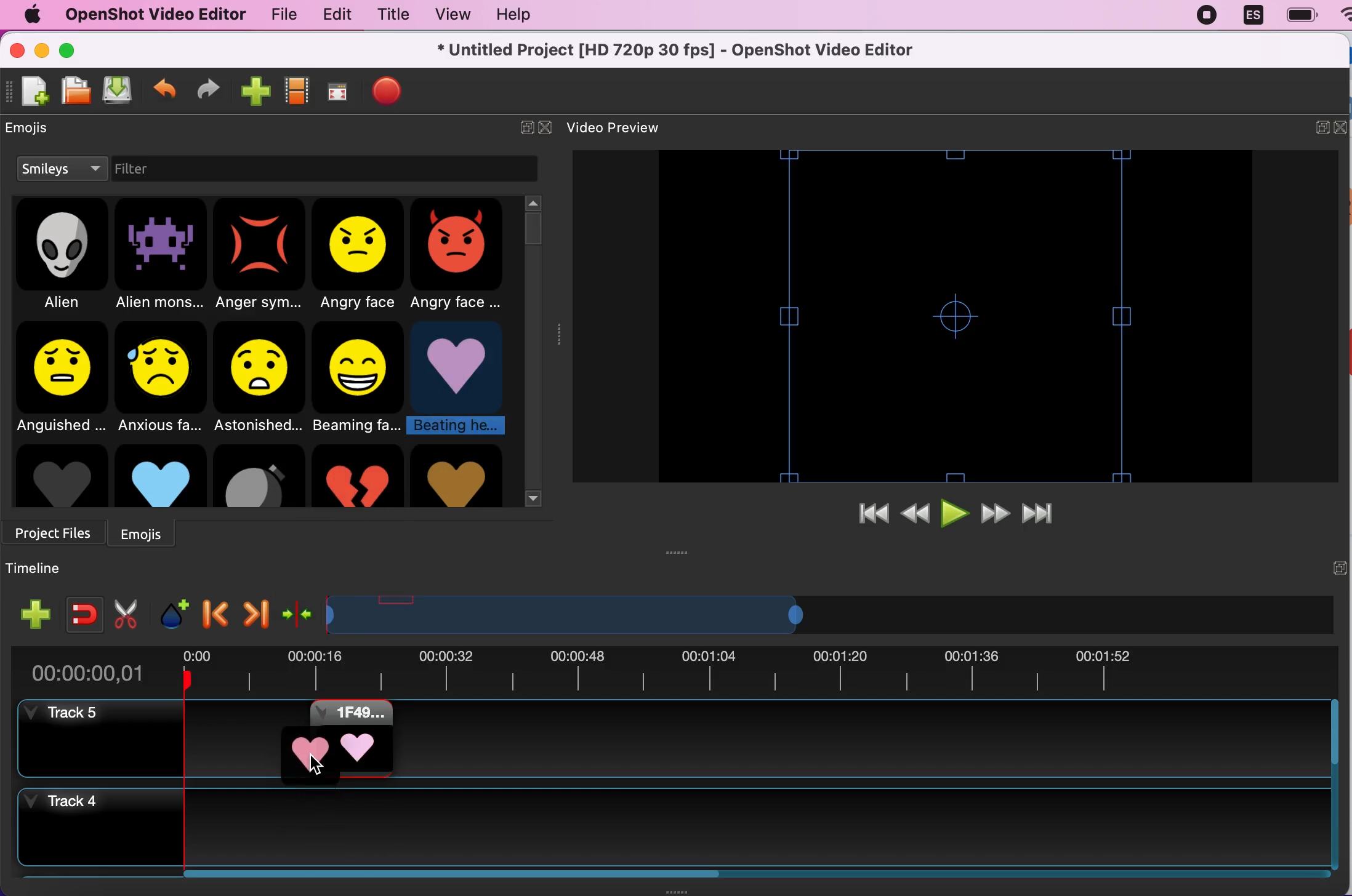  What do you see at coordinates (1202, 15) in the screenshot?
I see `recording stopped` at bounding box center [1202, 15].